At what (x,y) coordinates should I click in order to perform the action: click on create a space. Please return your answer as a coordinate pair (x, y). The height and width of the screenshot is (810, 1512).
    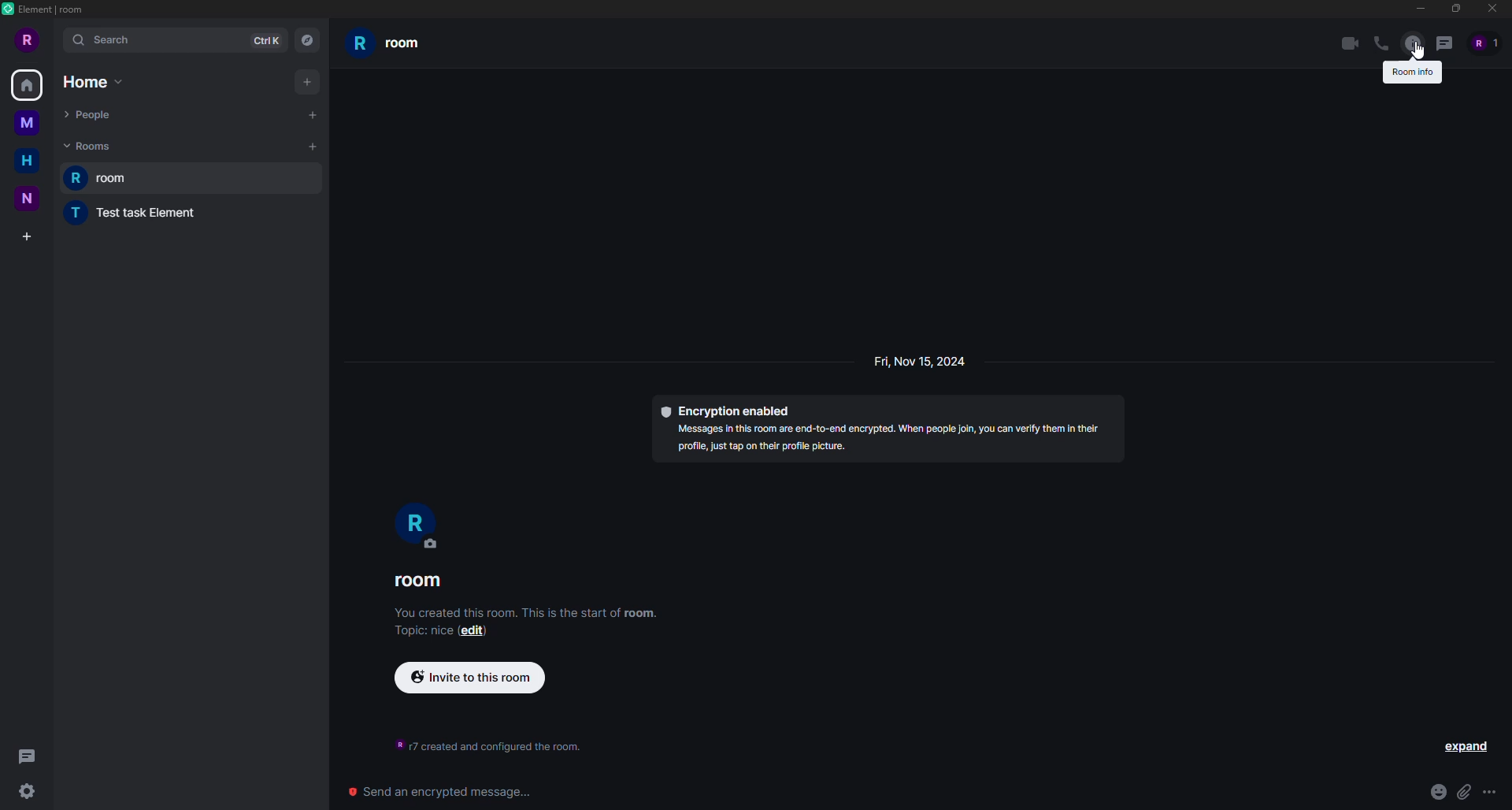
    Looking at the image, I should click on (30, 233).